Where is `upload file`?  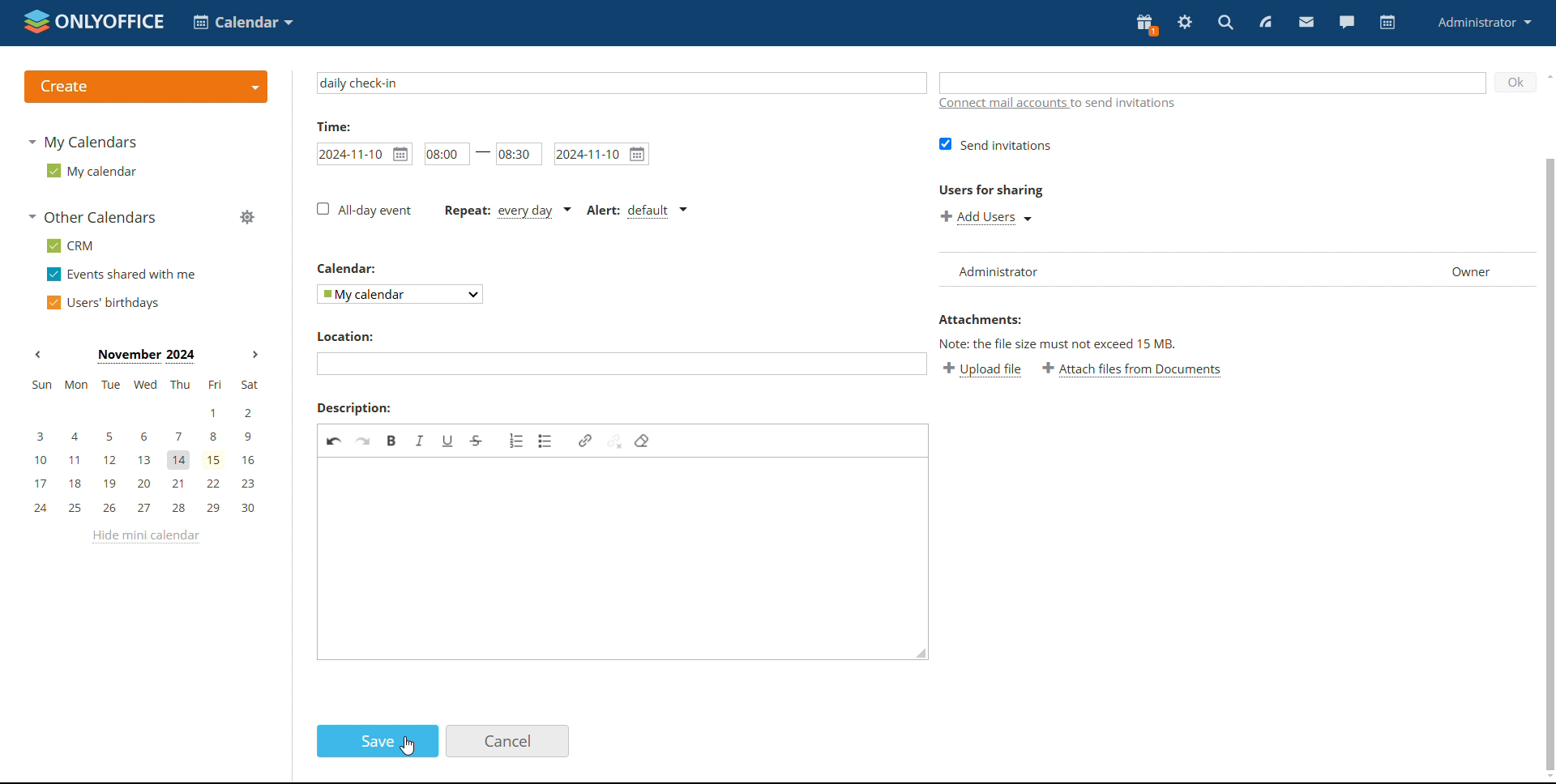 upload file is located at coordinates (987, 369).